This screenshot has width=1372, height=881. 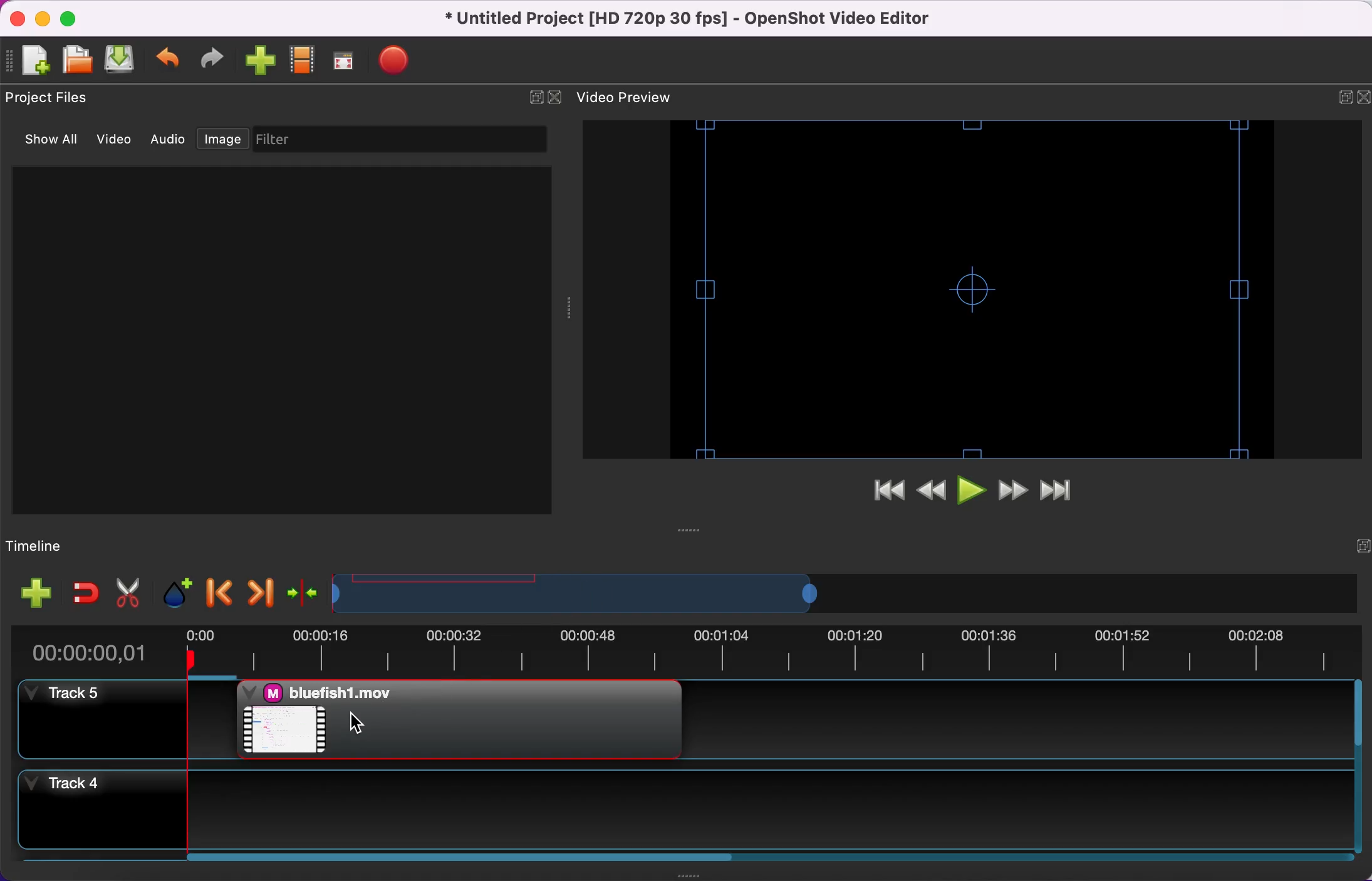 What do you see at coordinates (928, 495) in the screenshot?
I see `rewind` at bounding box center [928, 495].